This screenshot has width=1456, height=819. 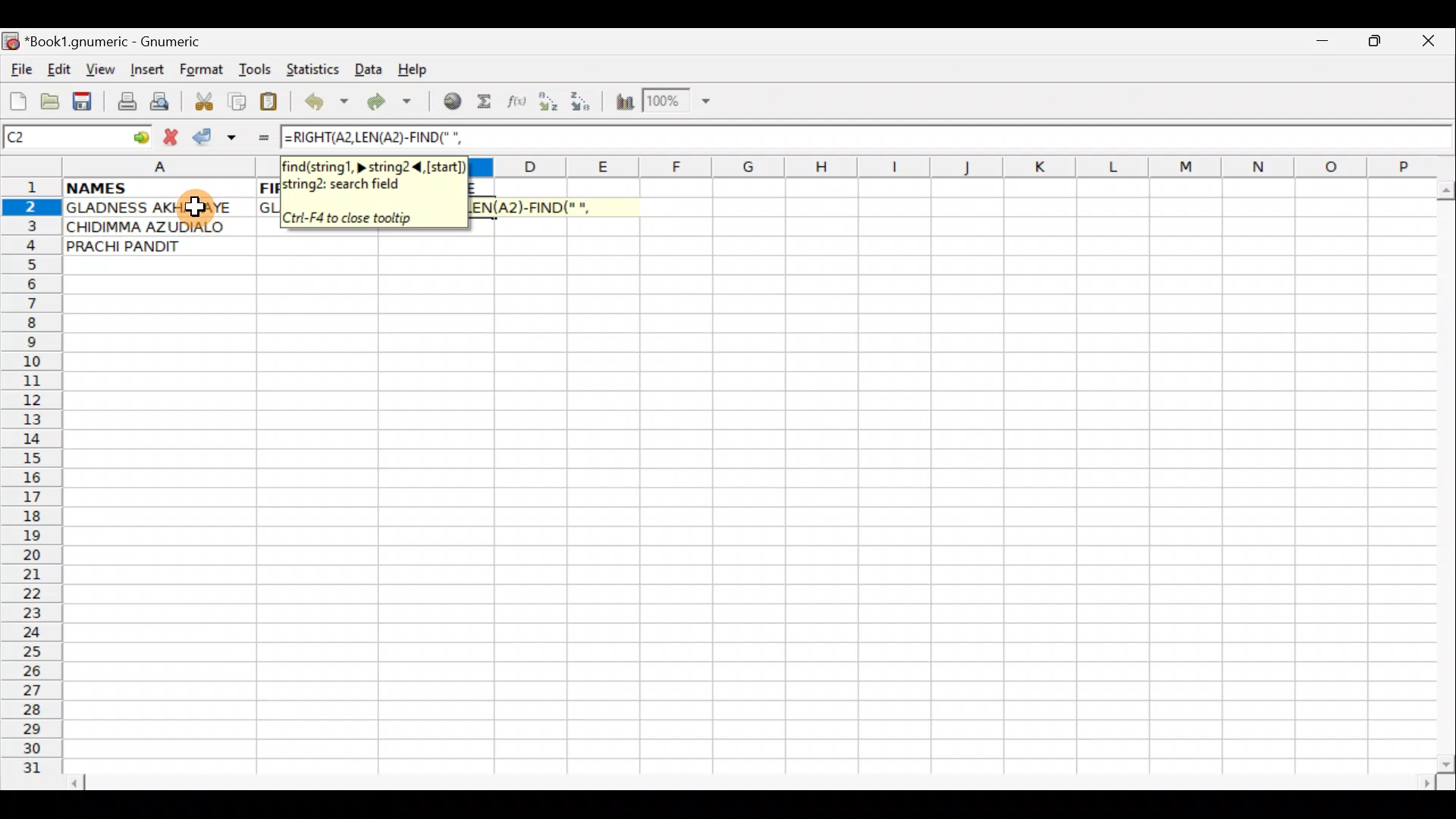 I want to click on Statistics, so click(x=317, y=68).